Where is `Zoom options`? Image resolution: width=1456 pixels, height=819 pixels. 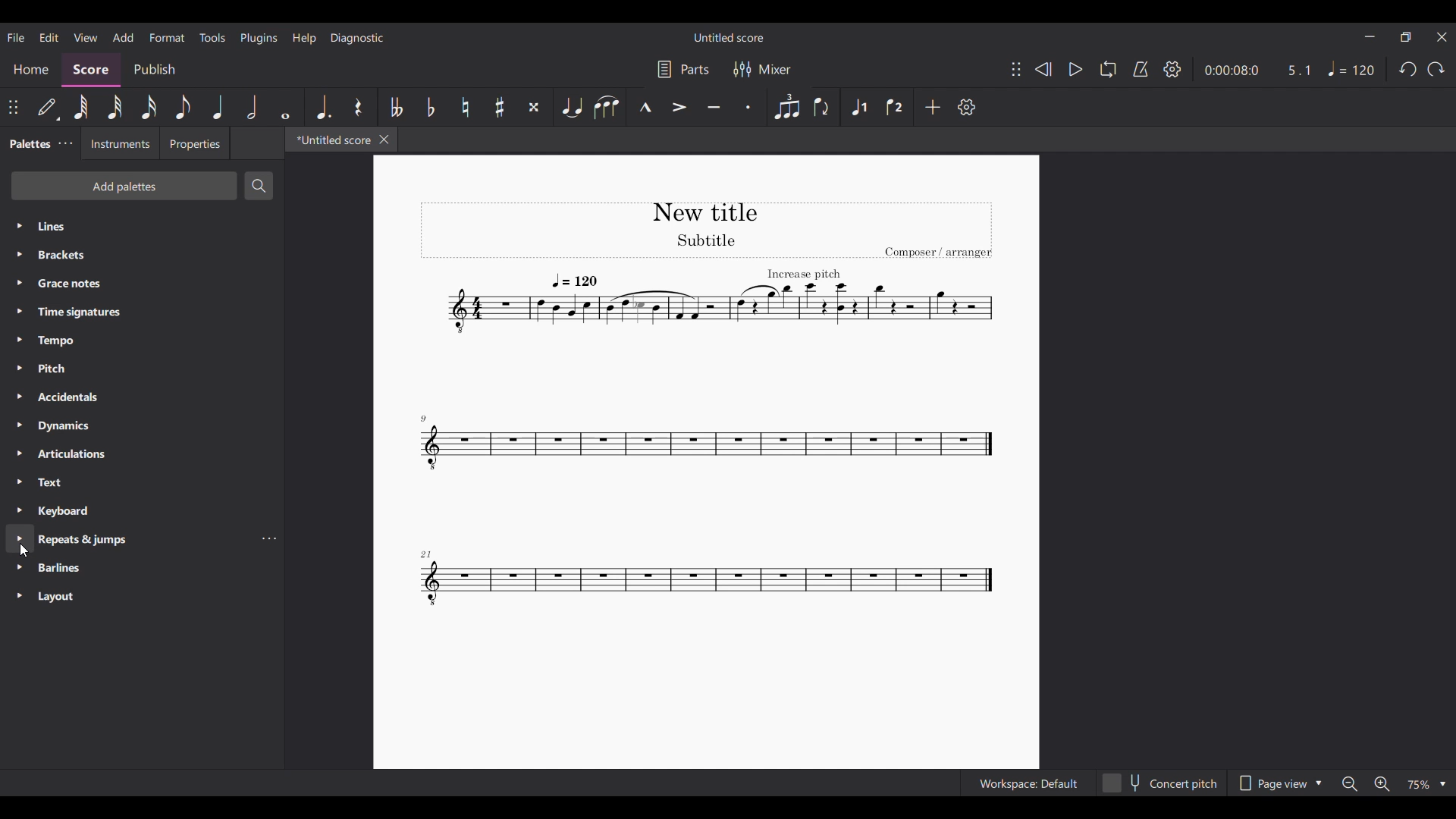
Zoom options is located at coordinates (1425, 785).